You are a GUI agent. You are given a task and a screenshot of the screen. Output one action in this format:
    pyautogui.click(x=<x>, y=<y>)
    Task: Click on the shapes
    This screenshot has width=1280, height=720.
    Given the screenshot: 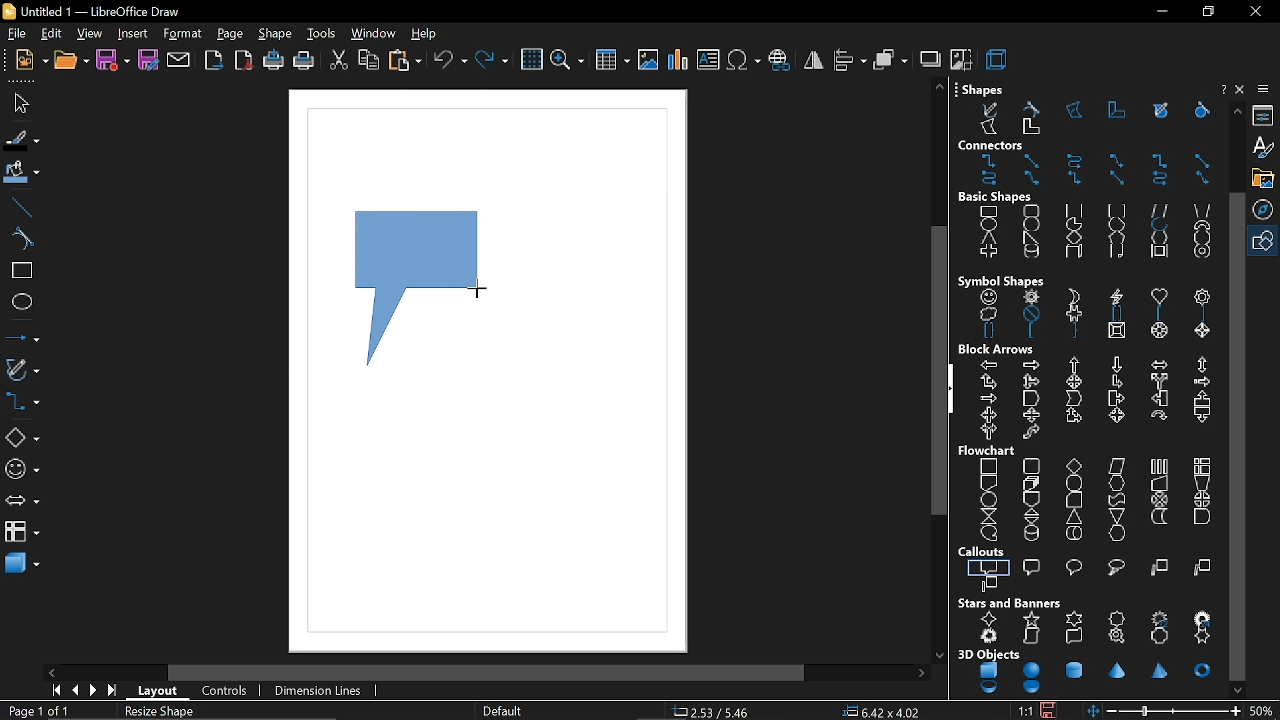 What is the action you would take?
    pyautogui.click(x=982, y=88)
    